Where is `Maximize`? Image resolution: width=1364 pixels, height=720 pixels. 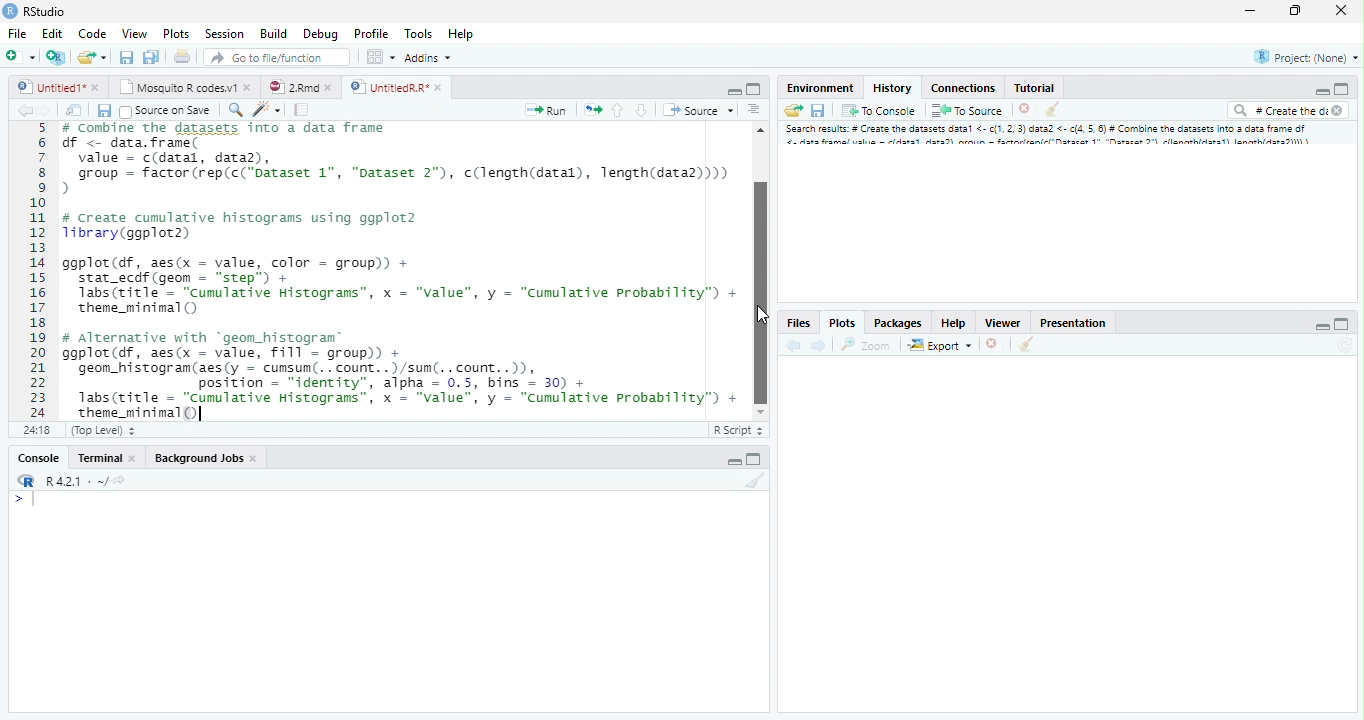 Maximize is located at coordinates (754, 88).